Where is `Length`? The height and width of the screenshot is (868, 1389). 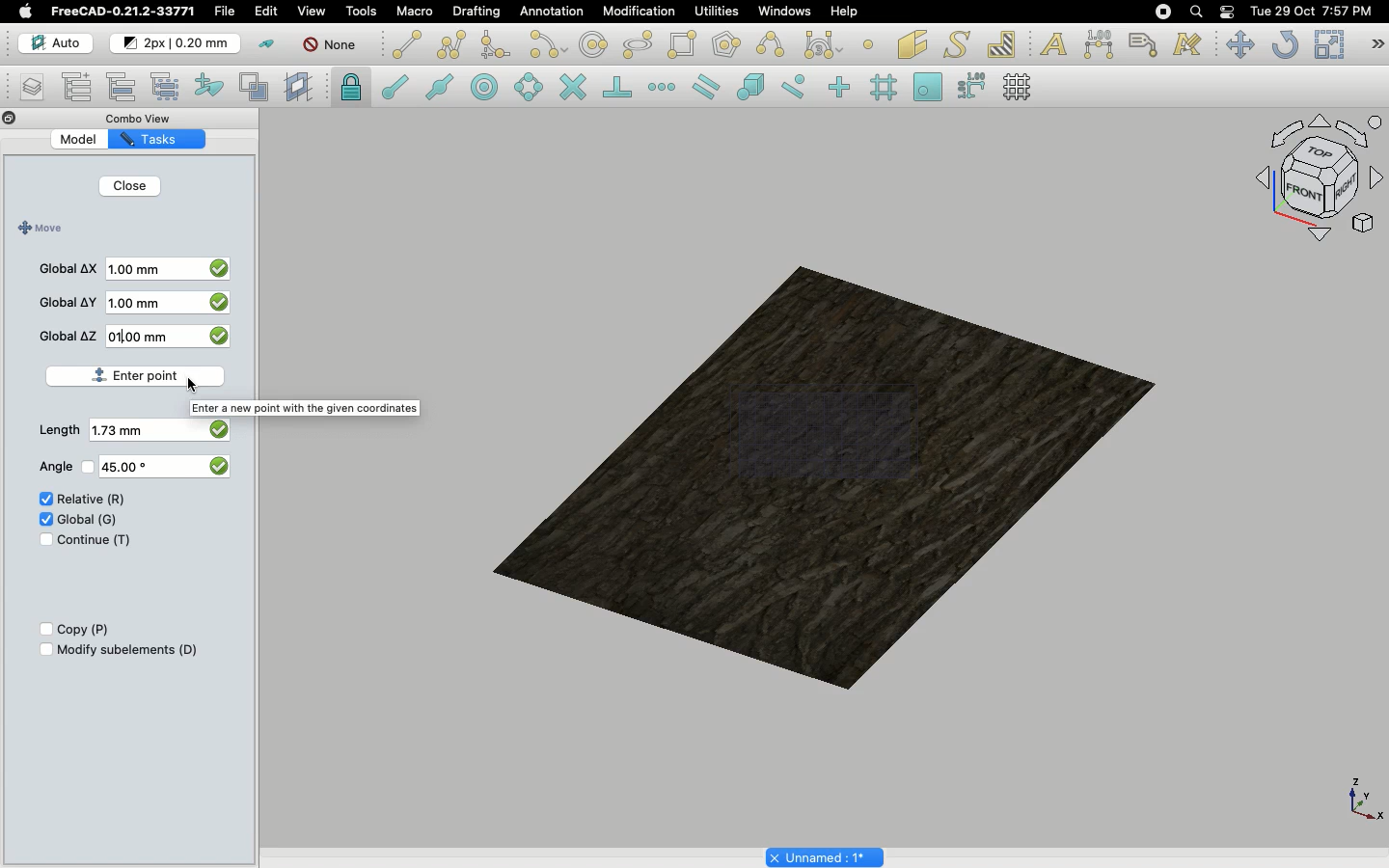
Length is located at coordinates (59, 430).